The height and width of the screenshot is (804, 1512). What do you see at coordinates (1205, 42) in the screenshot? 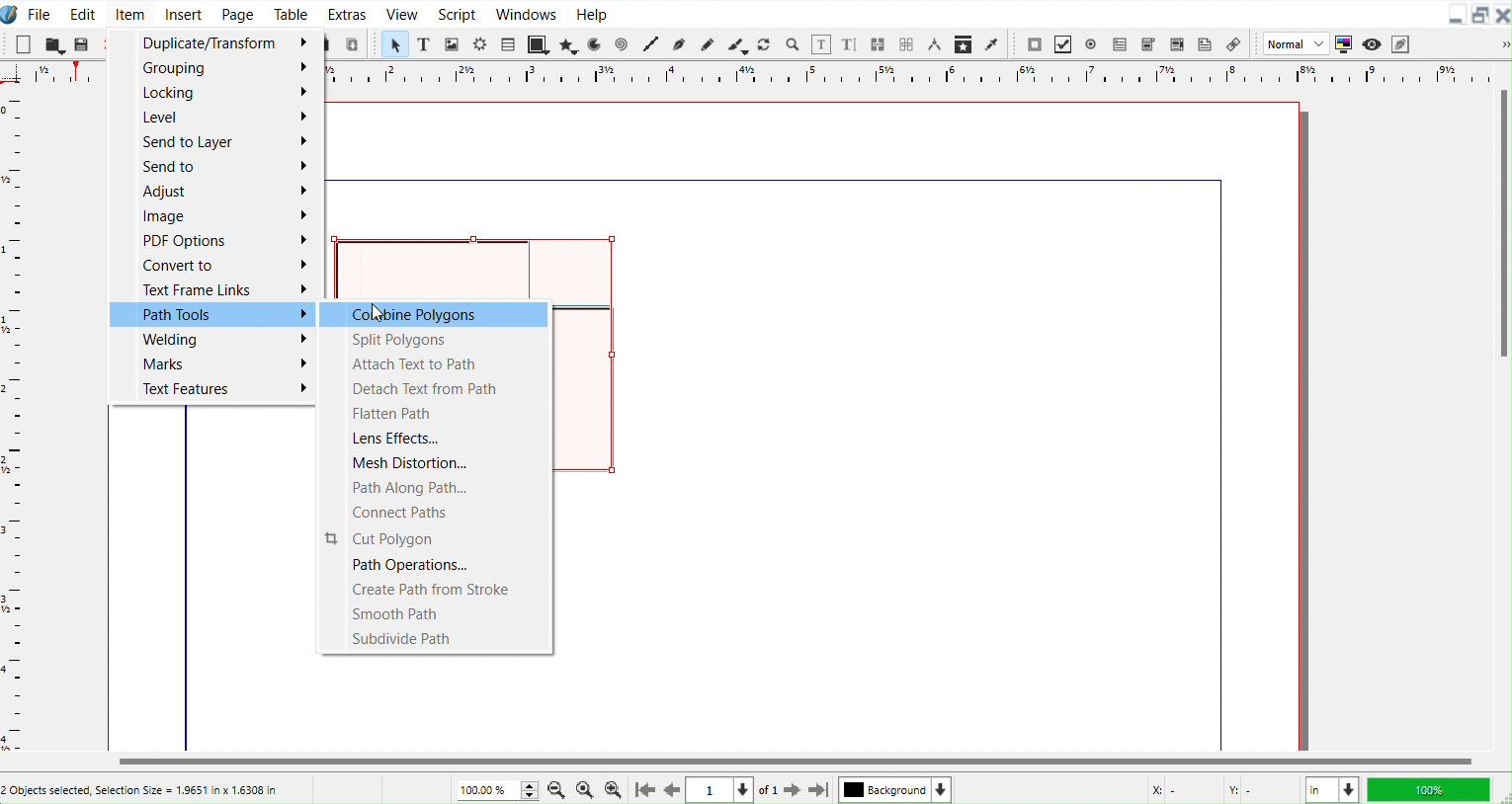
I see `Text Annotation` at bounding box center [1205, 42].